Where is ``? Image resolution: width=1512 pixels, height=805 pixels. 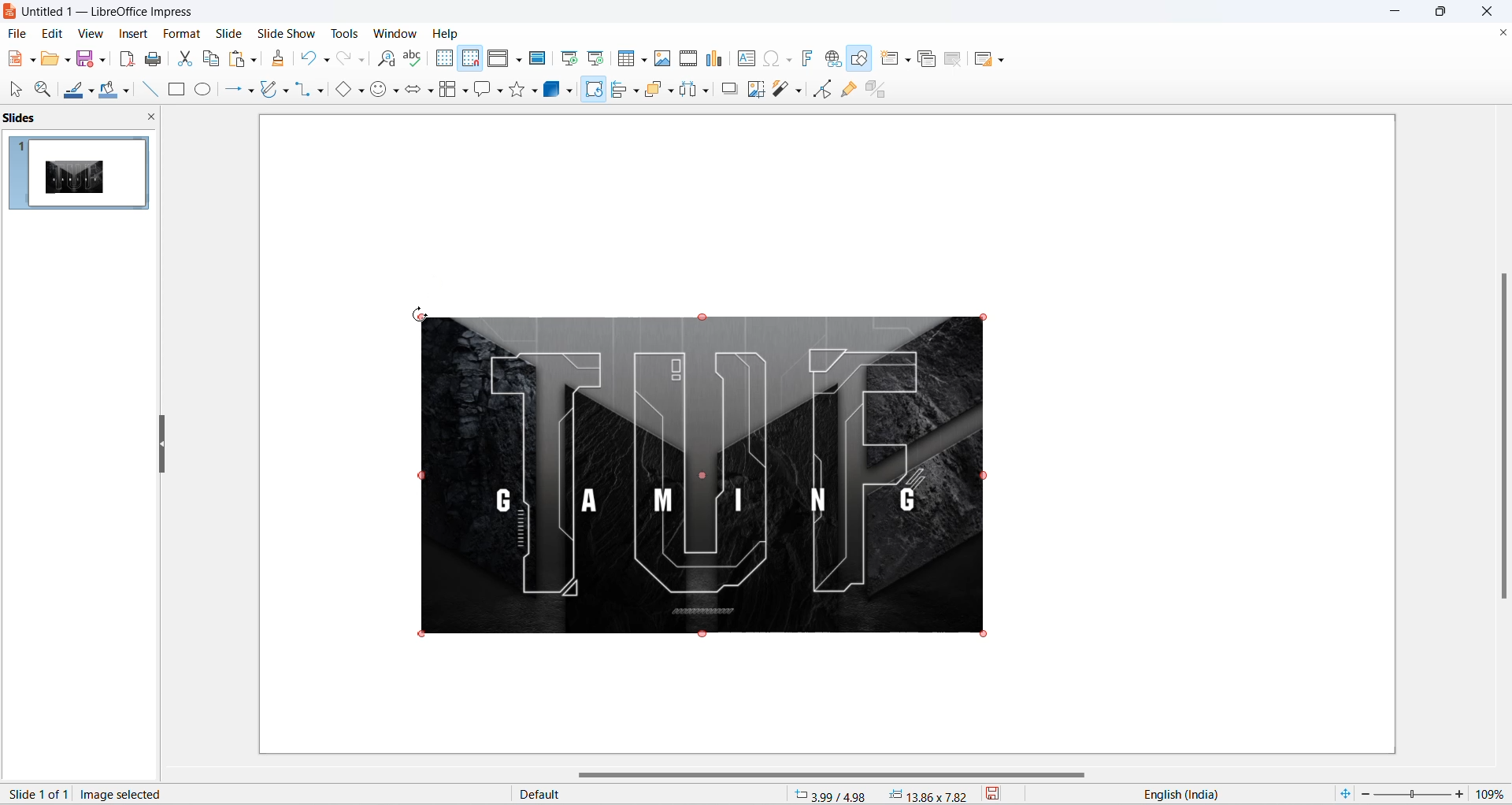
 is located at coordinates (20, 34).